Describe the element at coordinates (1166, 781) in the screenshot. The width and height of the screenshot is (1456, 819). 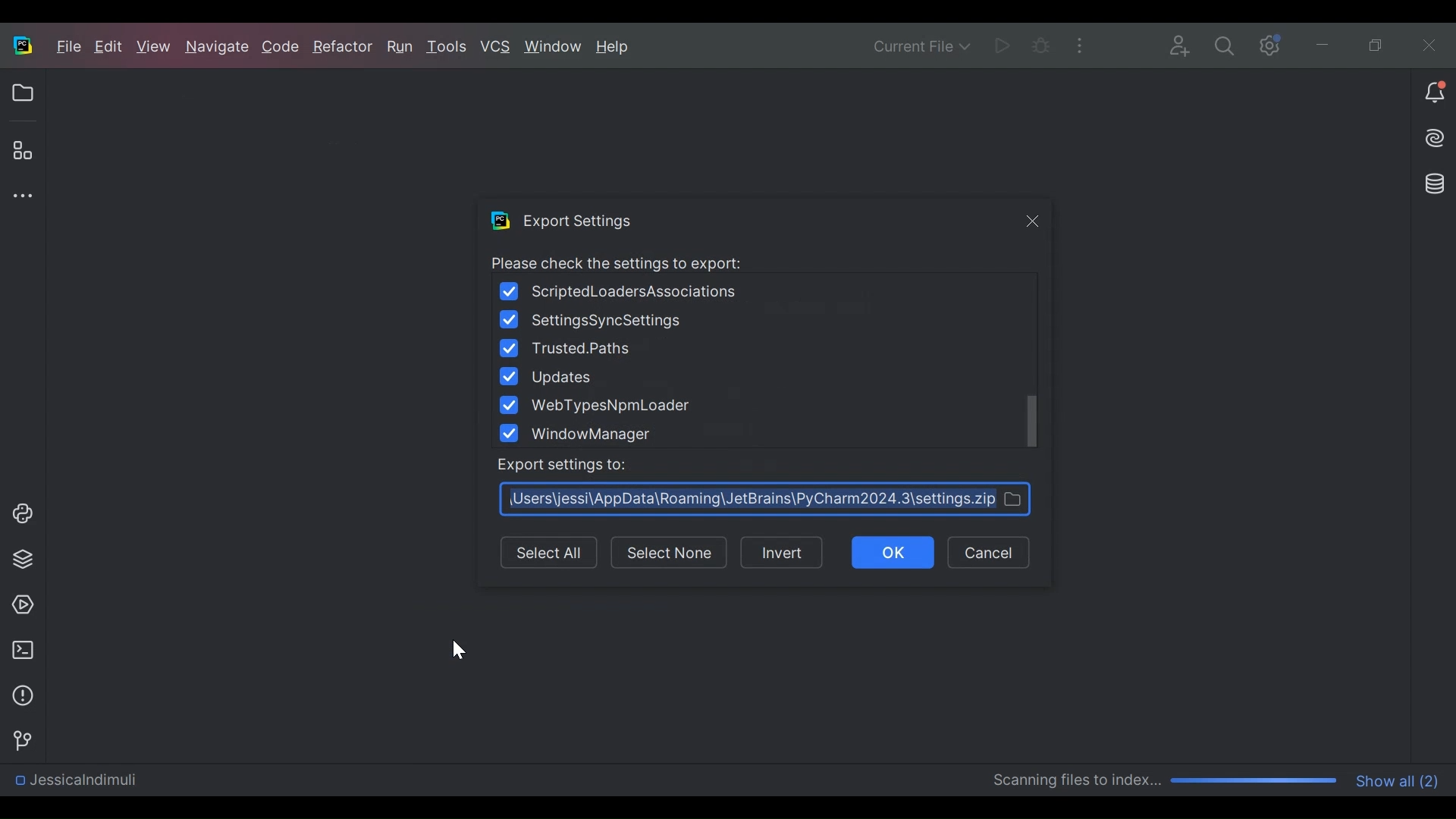
I see `Scanning Progress` at that location.